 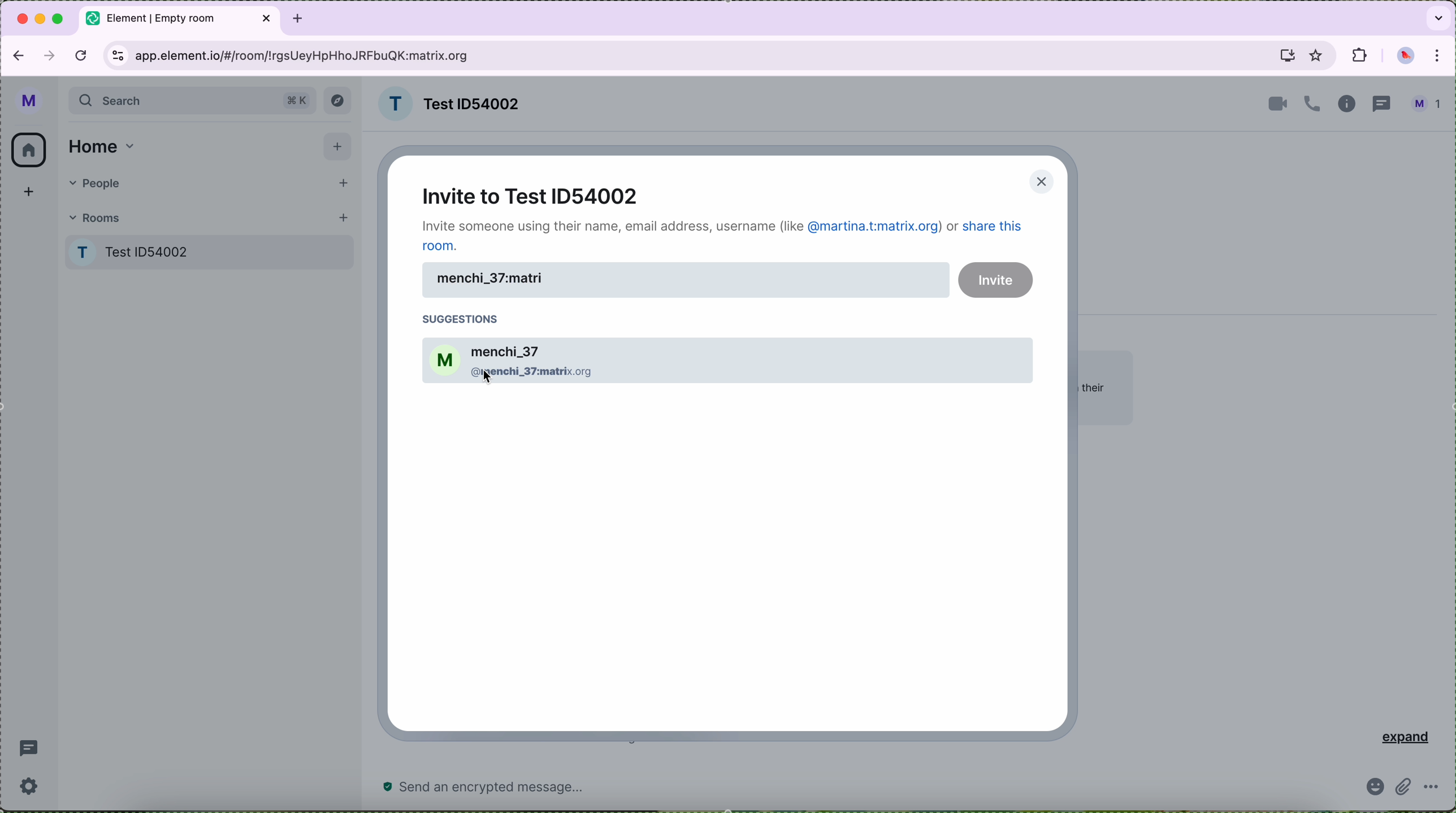 What do you see at coordinates (32, 747) in the screenshot?
I see `threads` at bounding box center [32, 747].